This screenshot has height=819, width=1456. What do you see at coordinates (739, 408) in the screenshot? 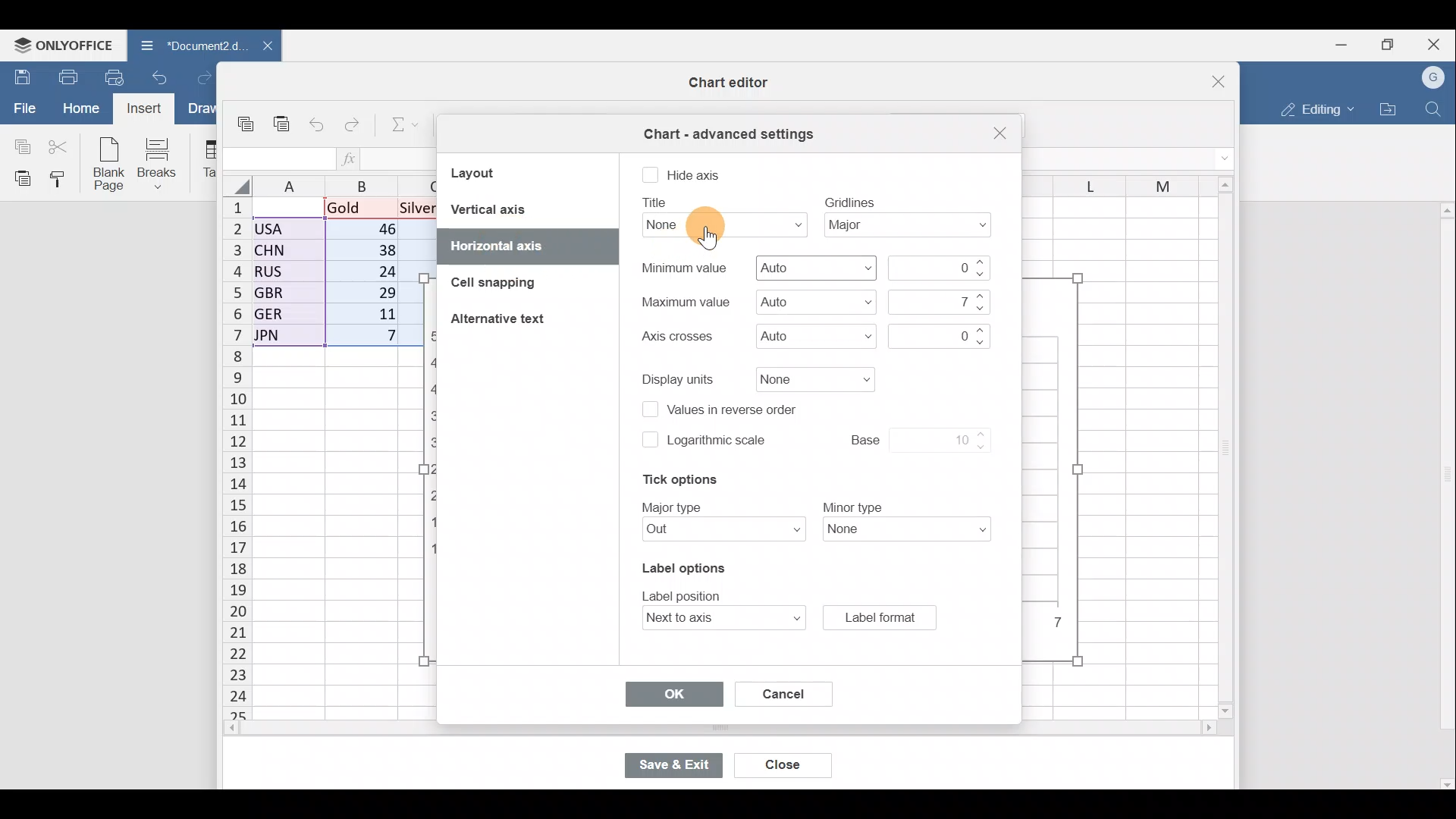
I see `Values in reverse order` at bounding box center [739, 408].